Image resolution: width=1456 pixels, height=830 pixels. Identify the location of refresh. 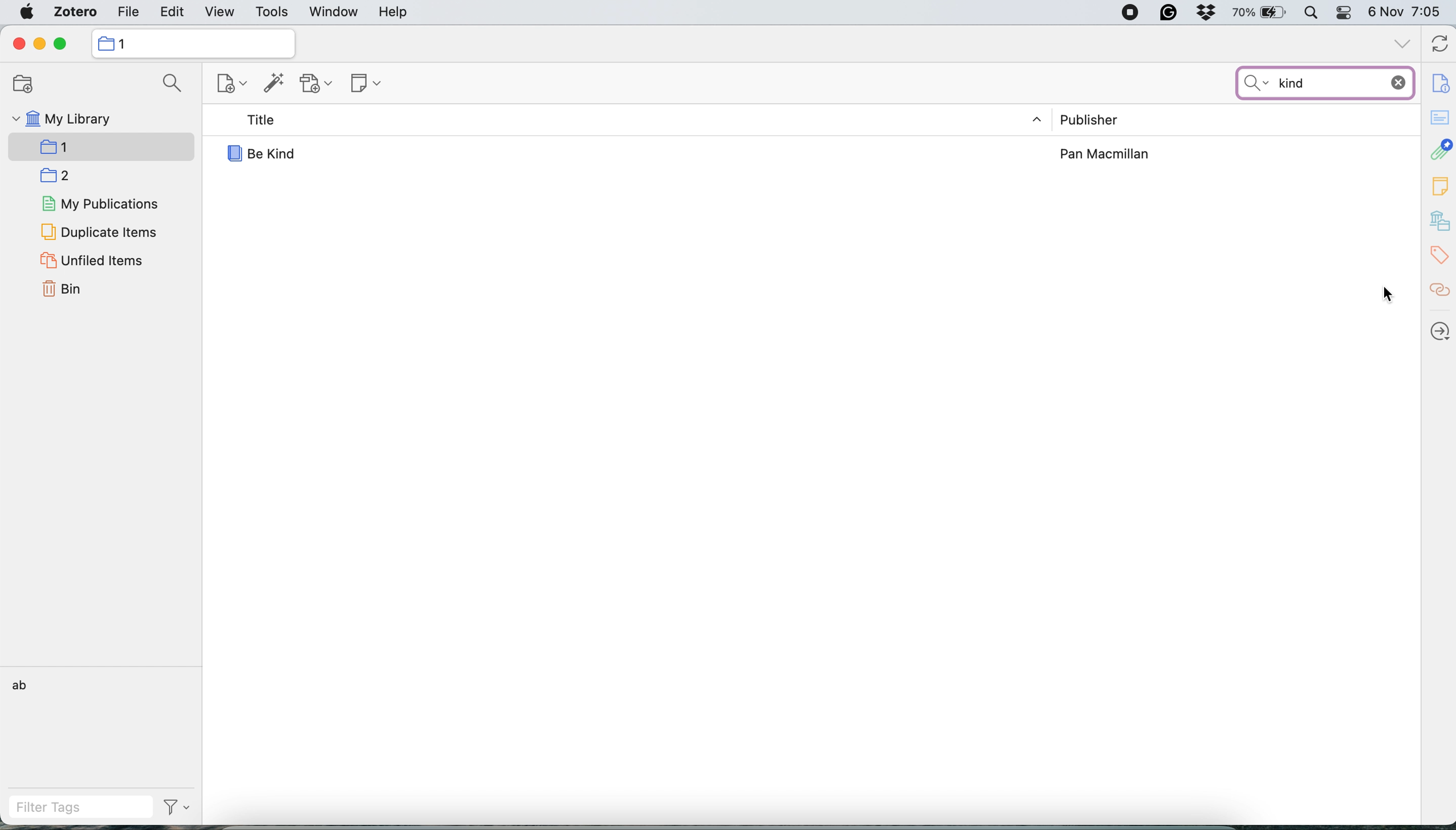
(1437, 44).